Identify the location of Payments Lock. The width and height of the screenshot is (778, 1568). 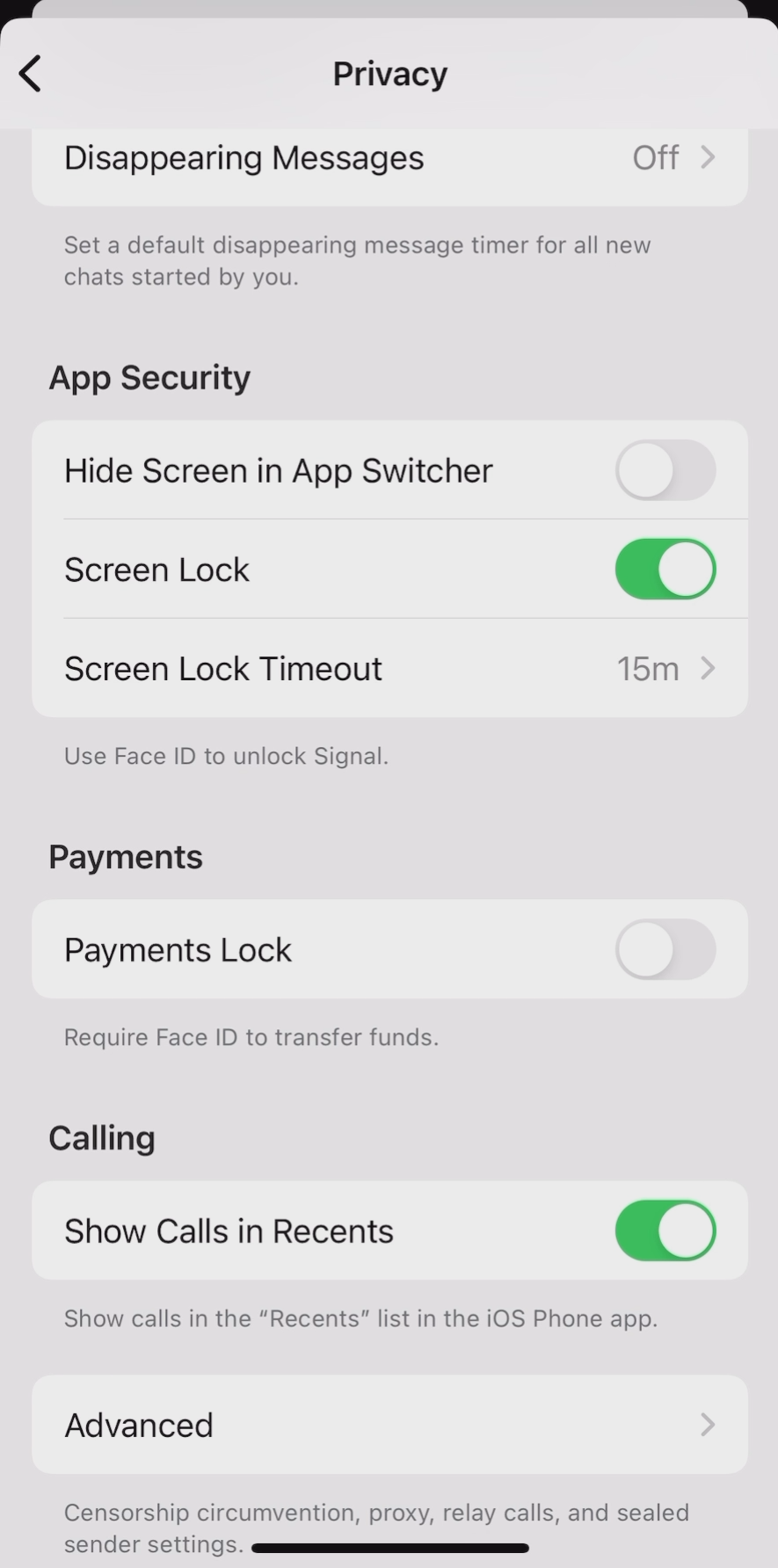
(395, 951).